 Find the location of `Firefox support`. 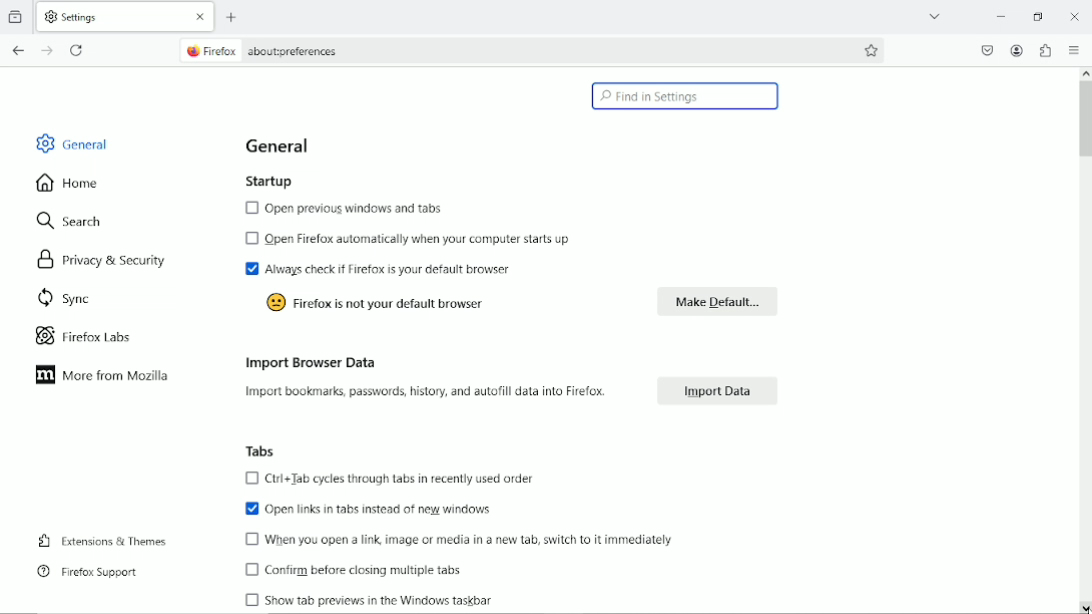

Firefox support is located at coordinates (85, 573).